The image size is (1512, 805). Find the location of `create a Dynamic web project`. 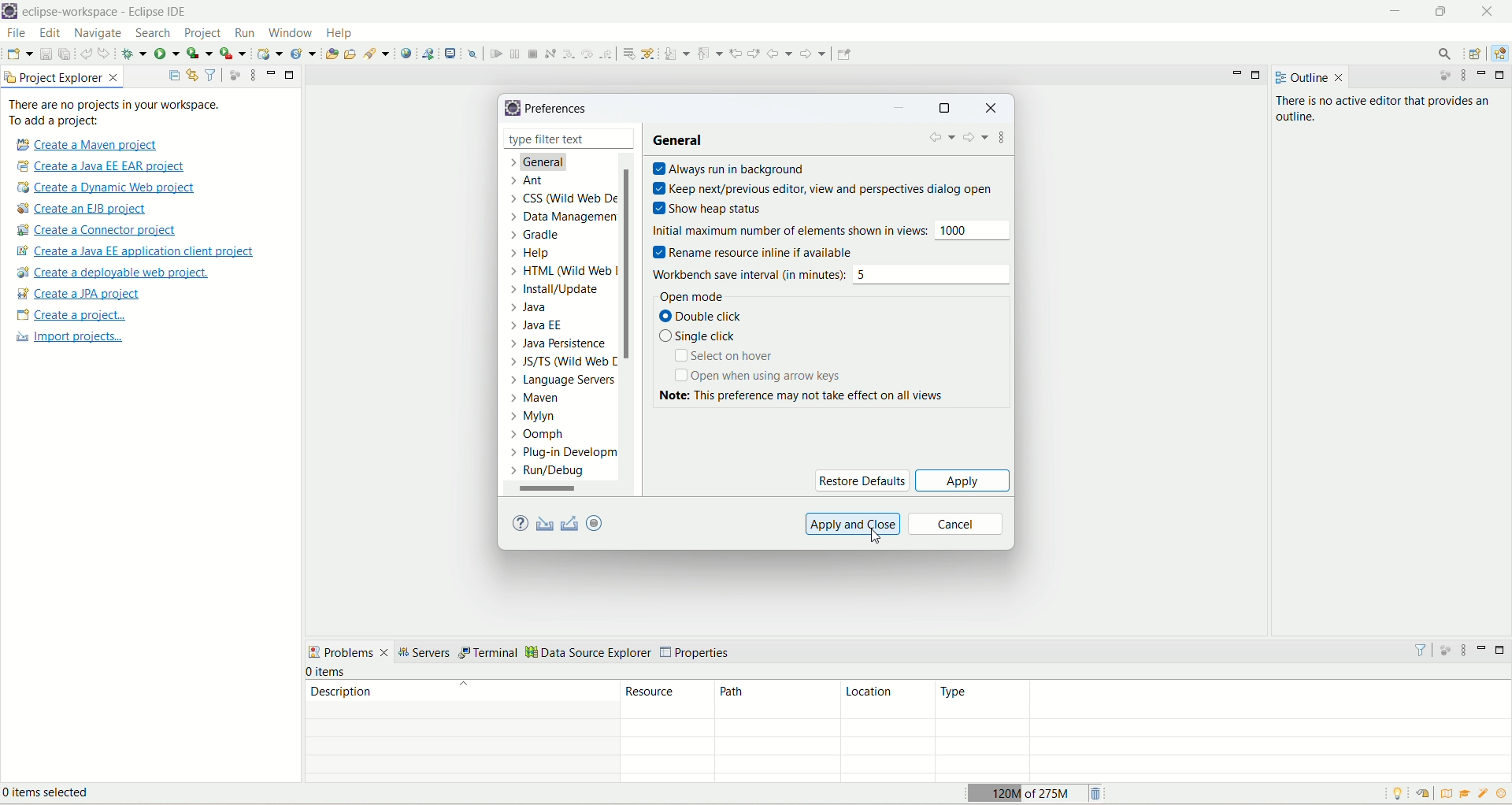

create a Dynamic web project is located at coordinates (107, 188).